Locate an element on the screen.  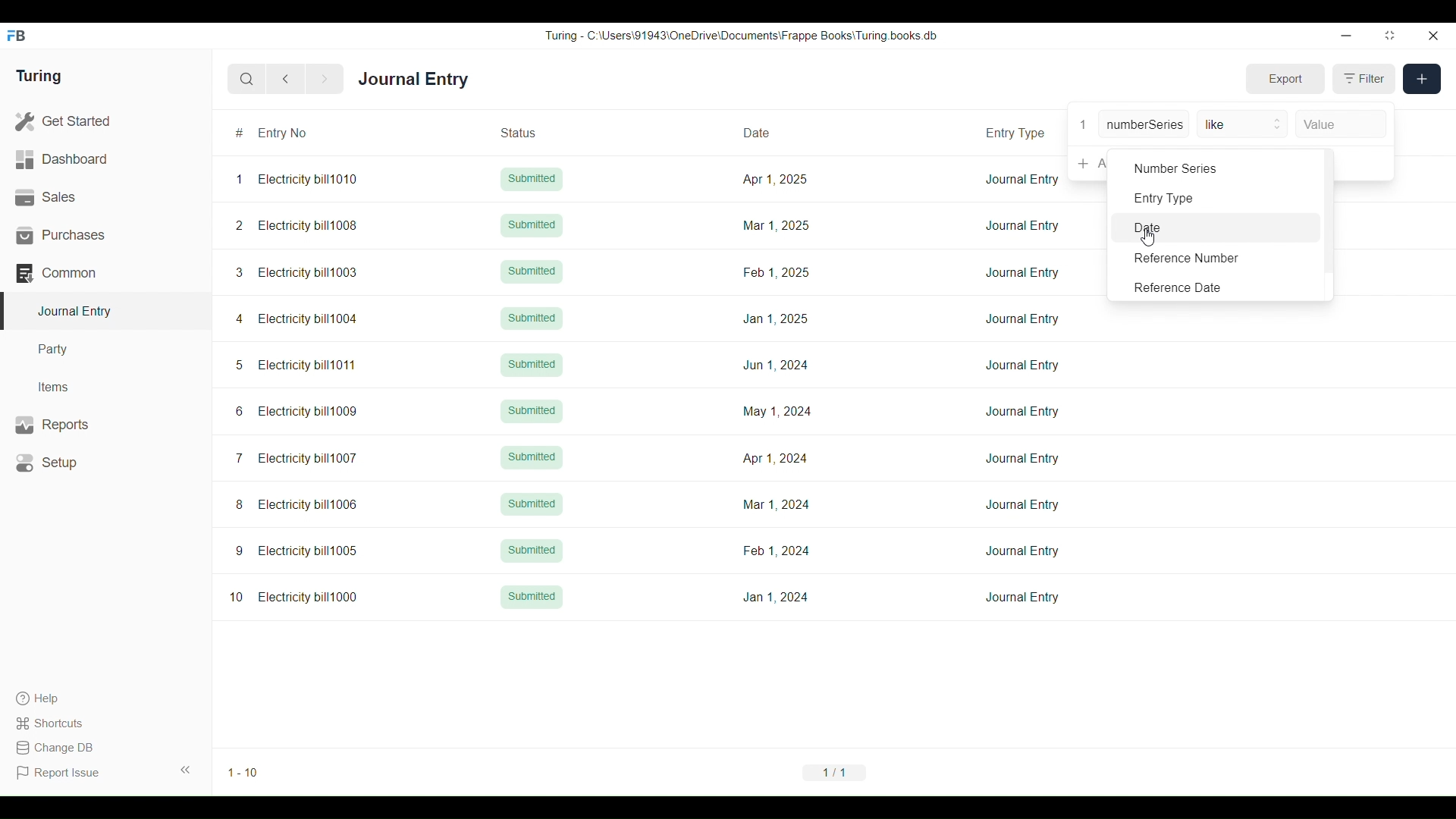
Frappe Books logo is located at coordinates (15, 36).